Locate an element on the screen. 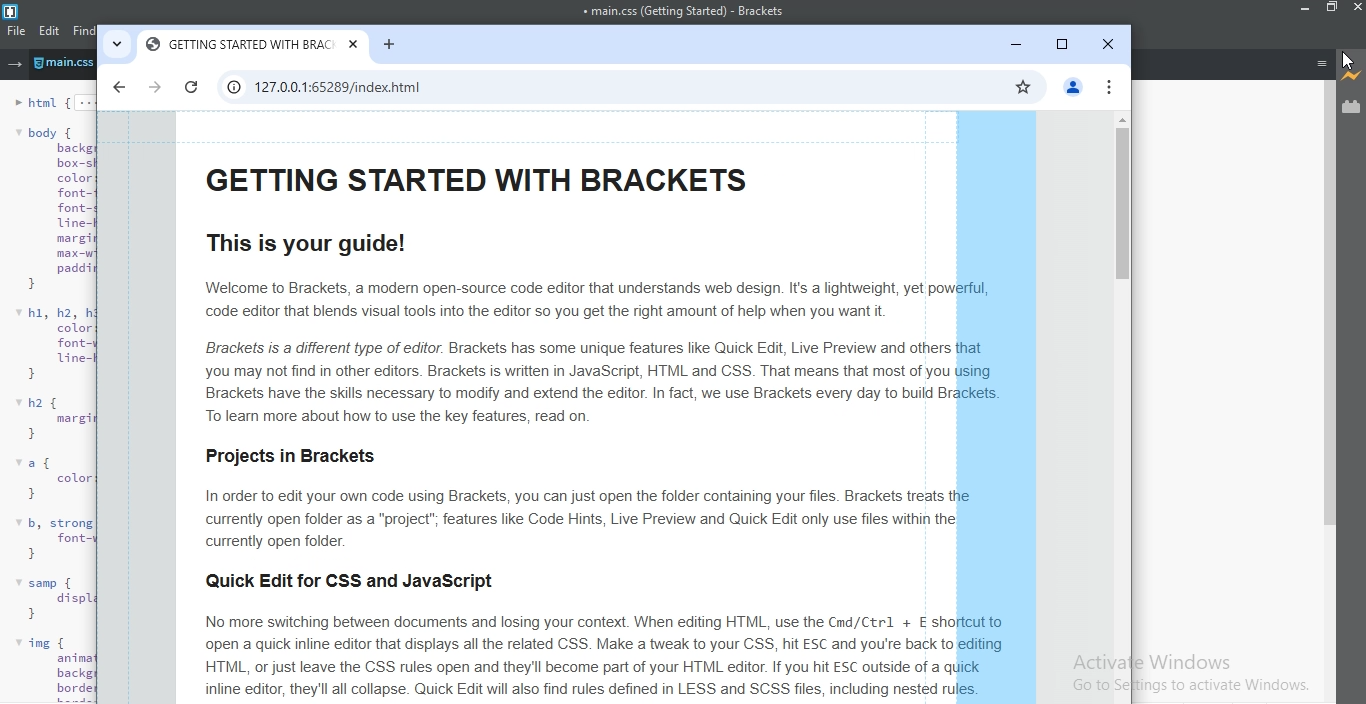 The height and width of the screenshot is (704, 1366). find is located at coordinates (80, 31).